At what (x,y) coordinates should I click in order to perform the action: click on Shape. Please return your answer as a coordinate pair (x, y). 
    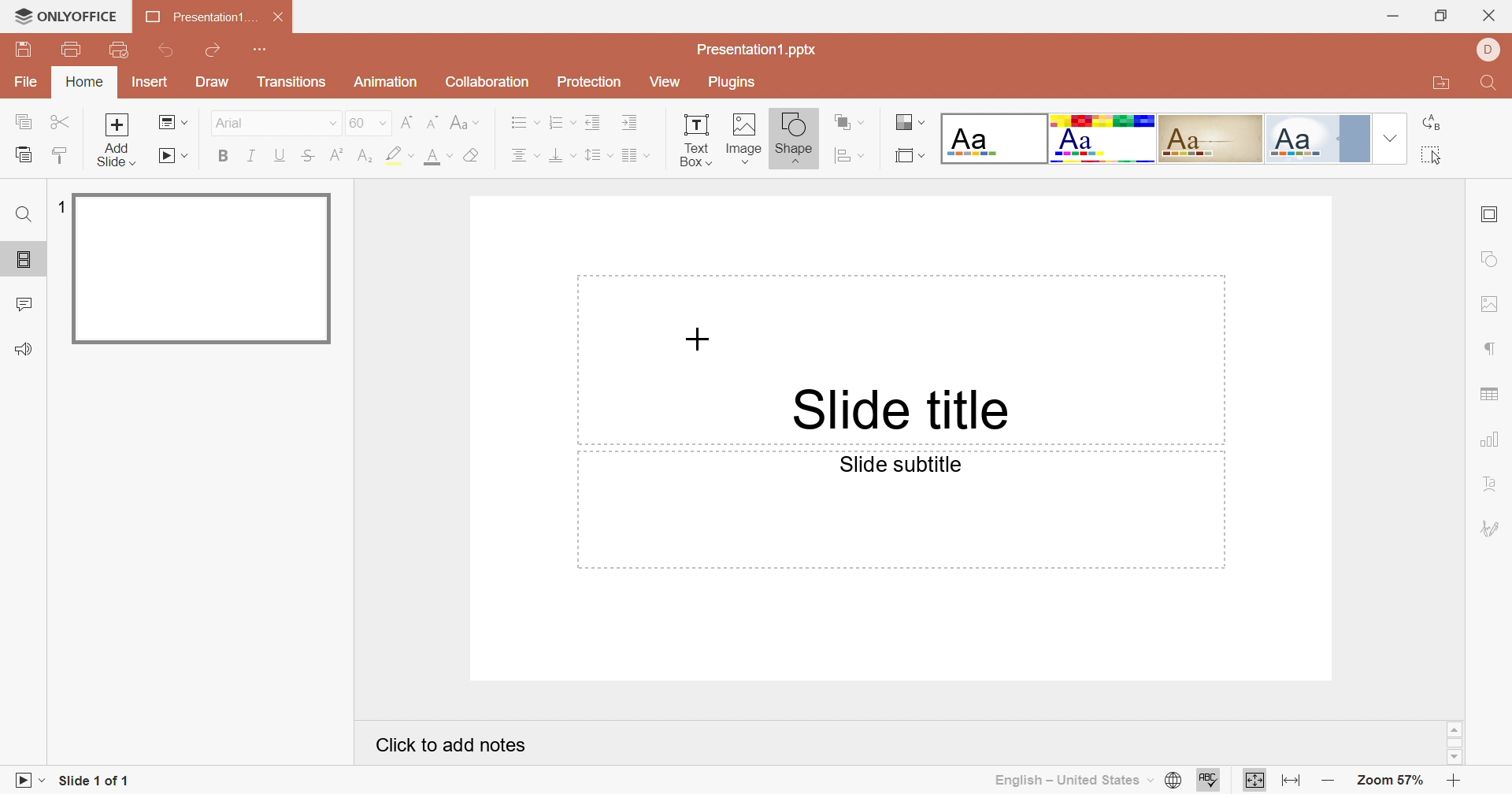
    Looking at the image, I should click on (794, 141).